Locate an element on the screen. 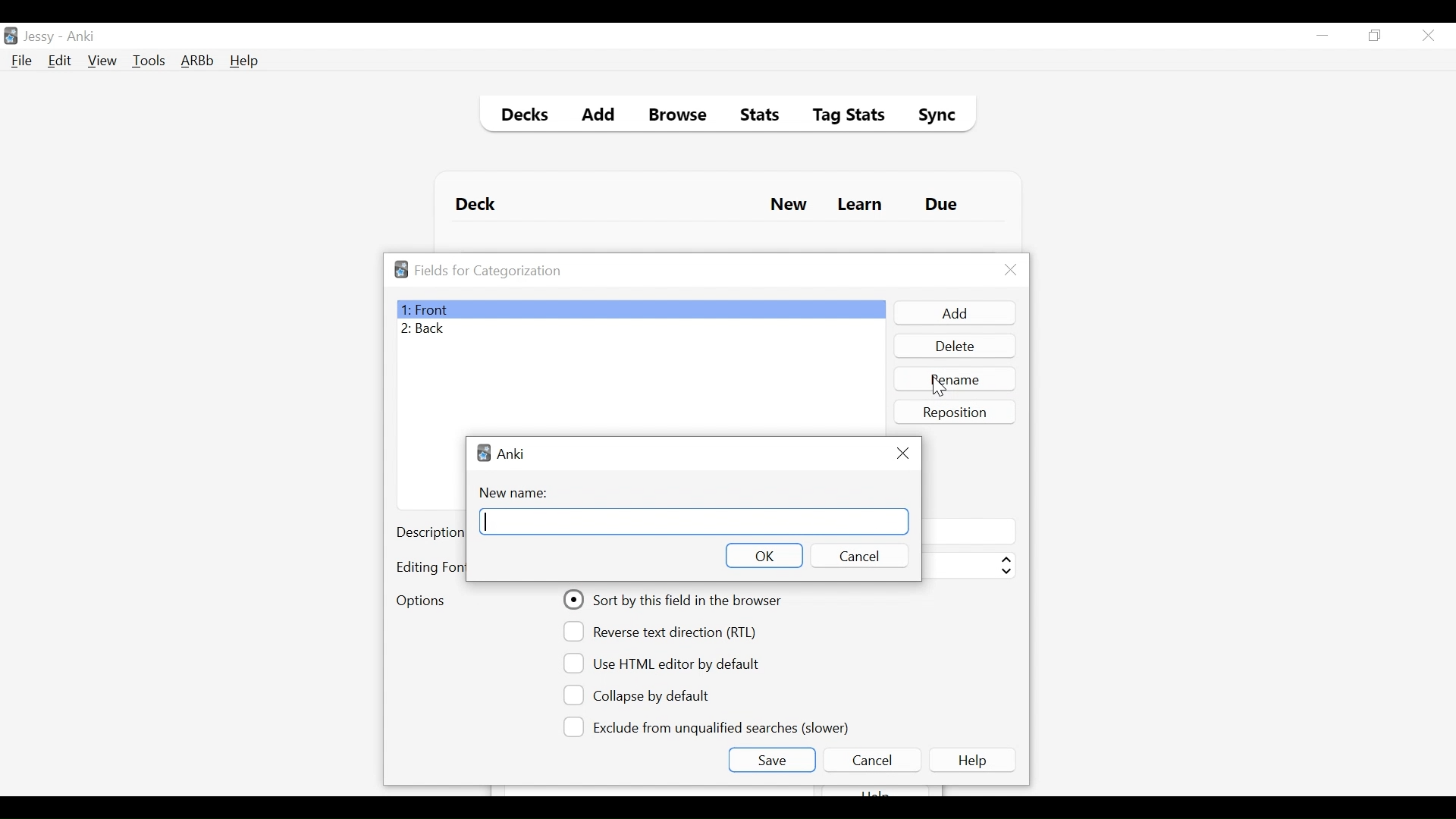 This screenshot has width=1456, height=819. Close is located at coordinates (1428, 36).